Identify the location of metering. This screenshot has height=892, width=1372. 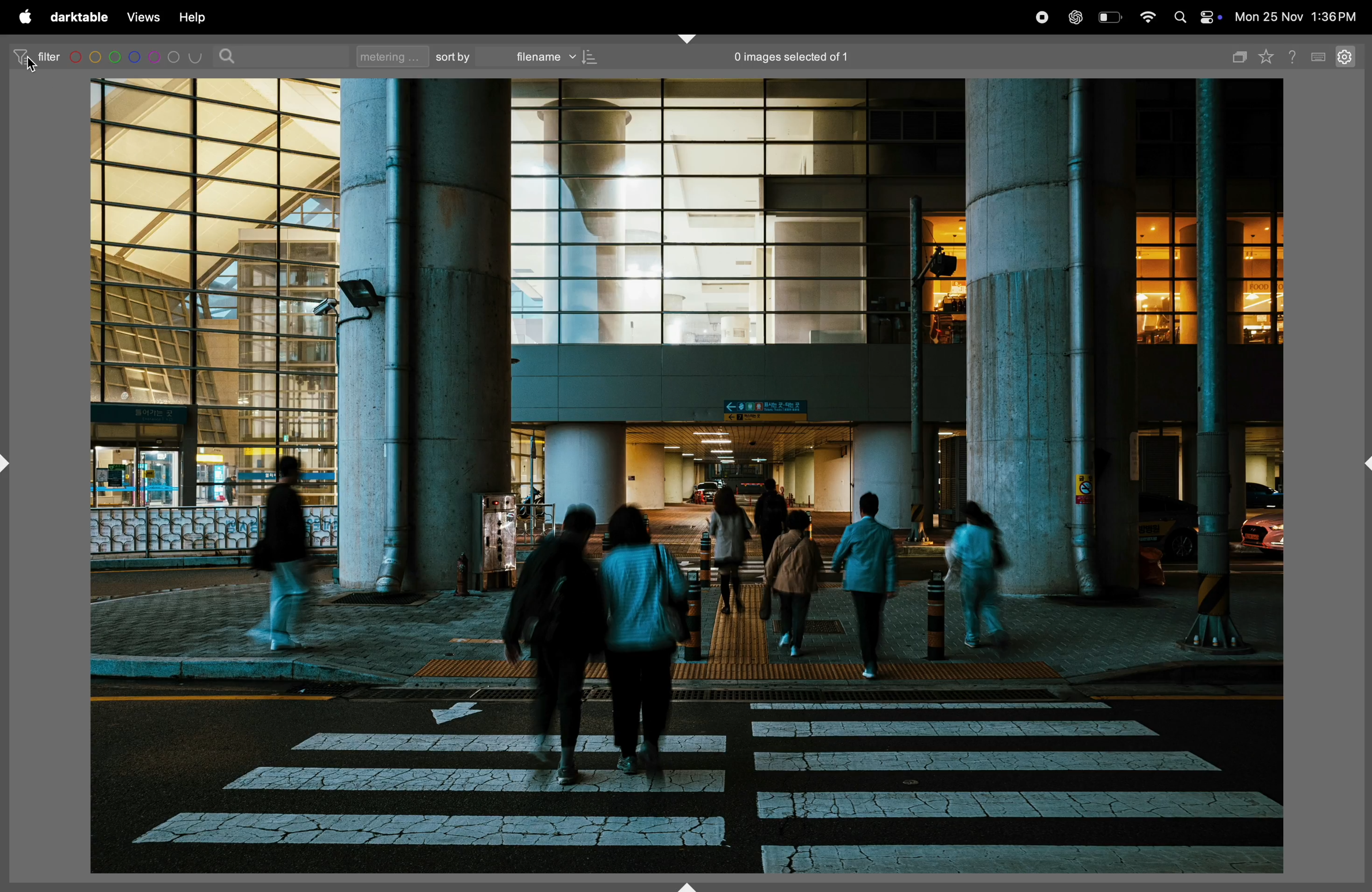
(389, 56).